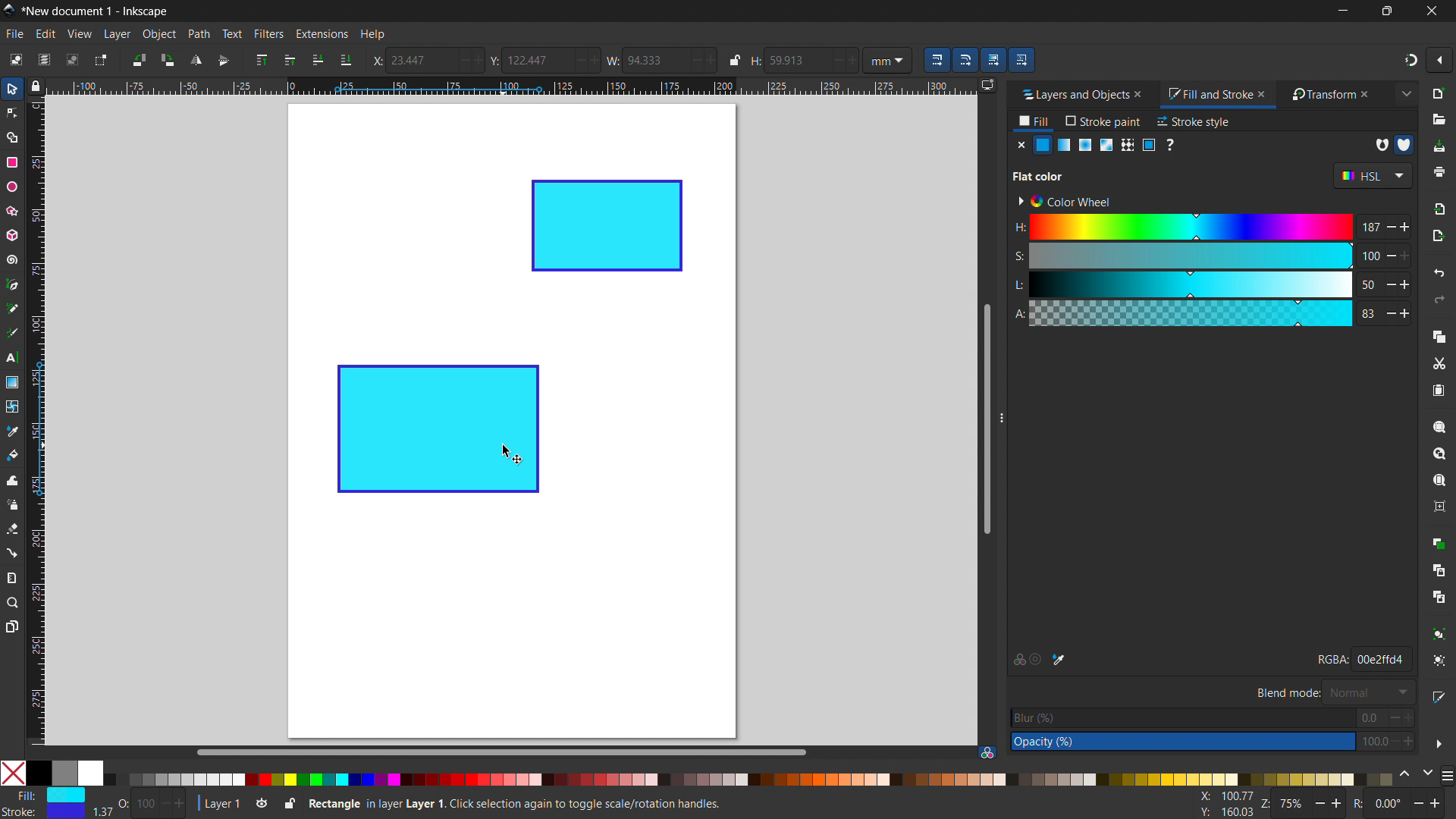 The height and width of the screenshot is (819, 1456). Describe the element at coordinates (1439, 300) in the screenshot. I see `redo` at that location.